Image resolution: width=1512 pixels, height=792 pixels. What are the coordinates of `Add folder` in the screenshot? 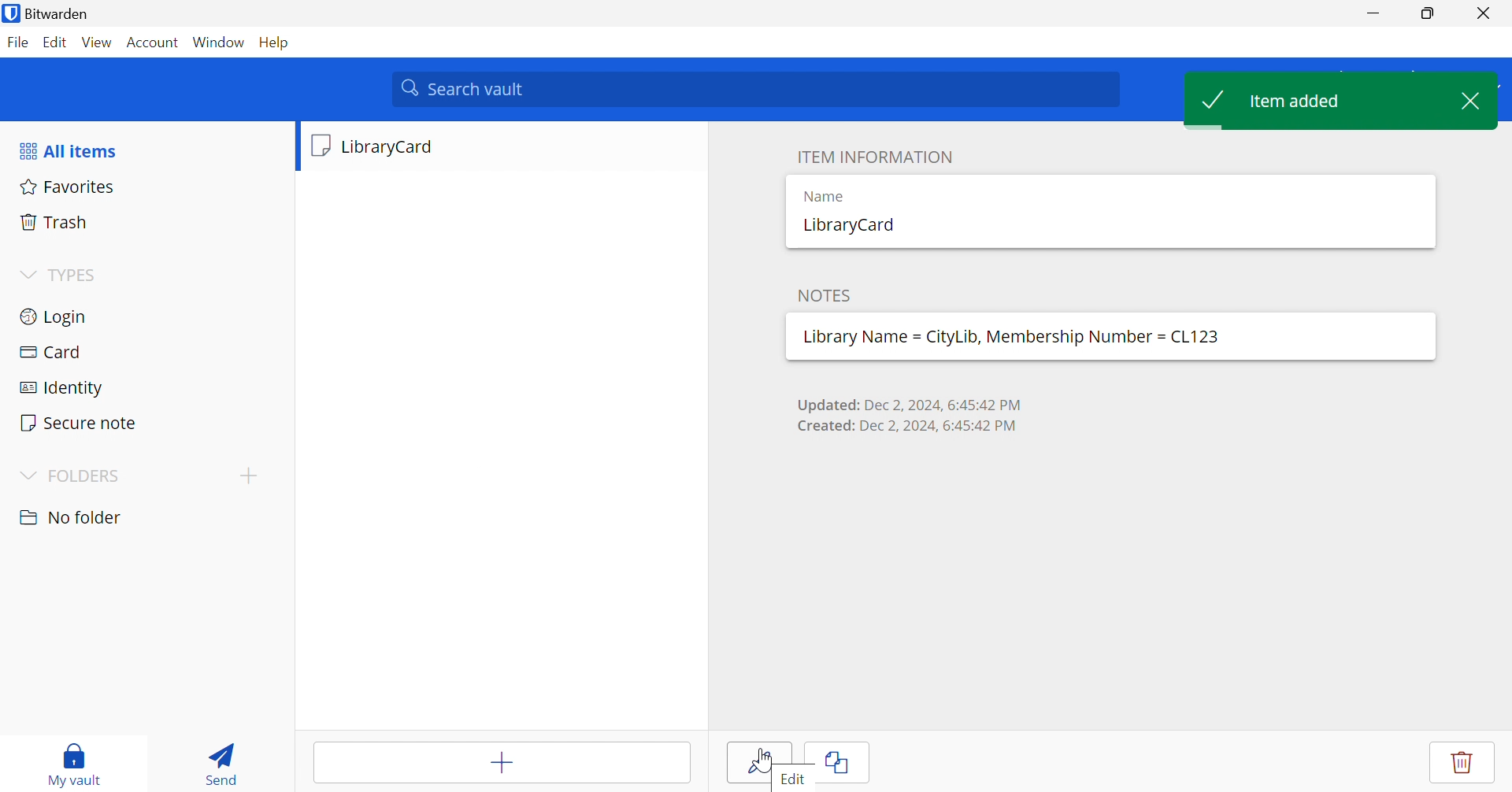 It's located at (246, 475).